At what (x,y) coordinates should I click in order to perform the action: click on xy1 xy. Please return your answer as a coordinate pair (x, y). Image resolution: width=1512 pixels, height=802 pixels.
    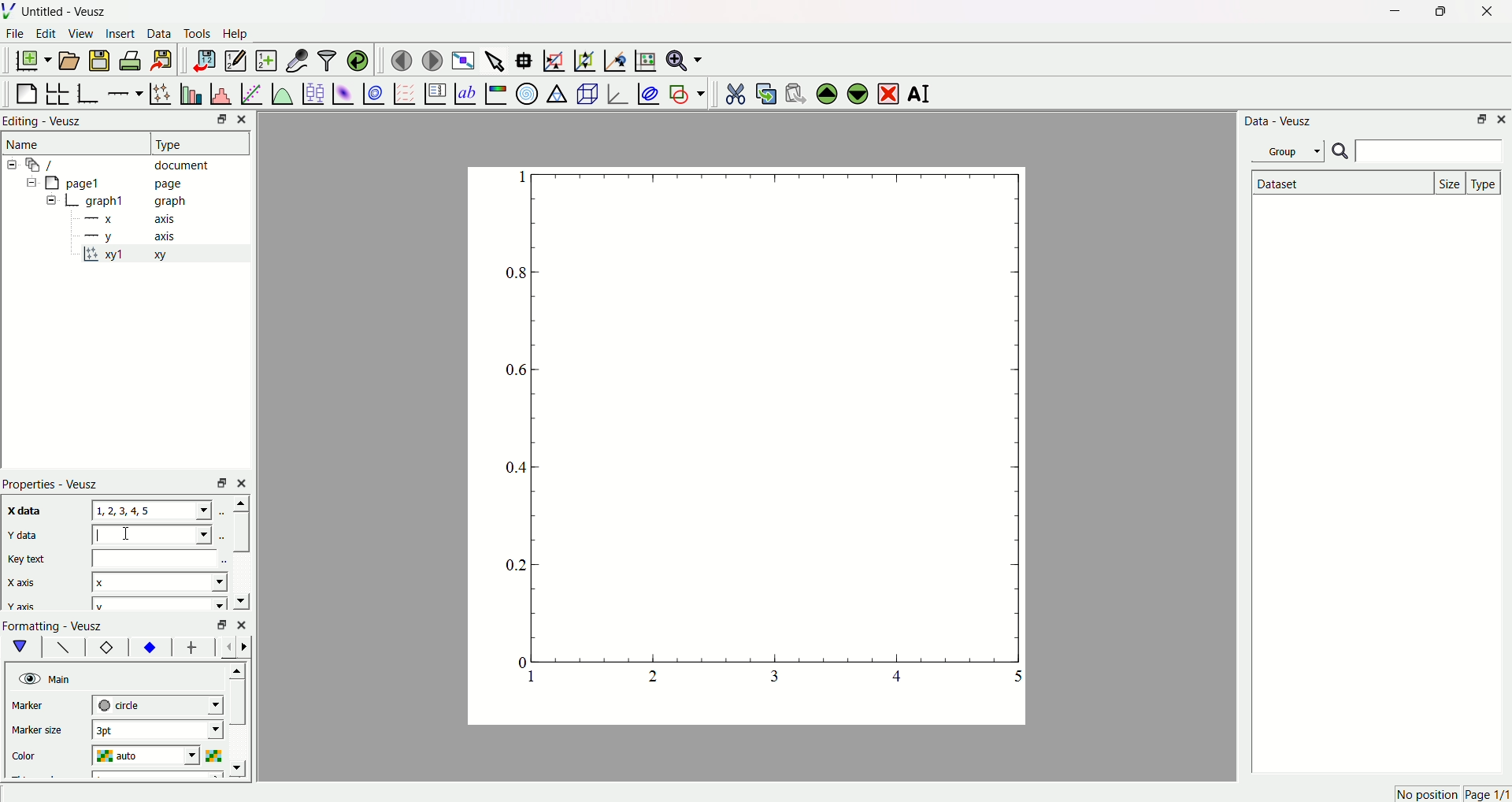
    Looking at the image, I should click on (135, 255).